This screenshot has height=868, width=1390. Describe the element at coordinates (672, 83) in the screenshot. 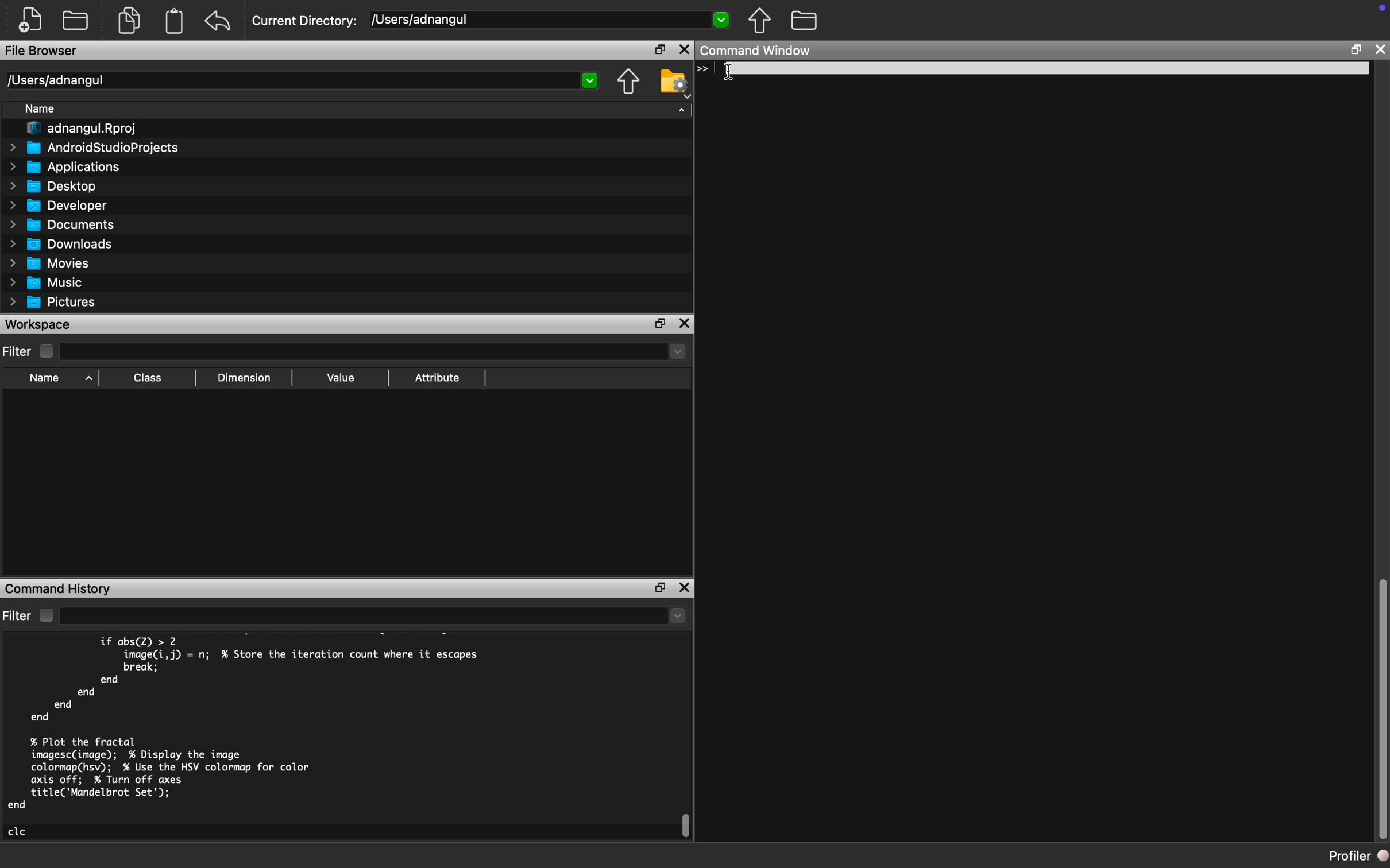

I see `Folder Setting` at that location.